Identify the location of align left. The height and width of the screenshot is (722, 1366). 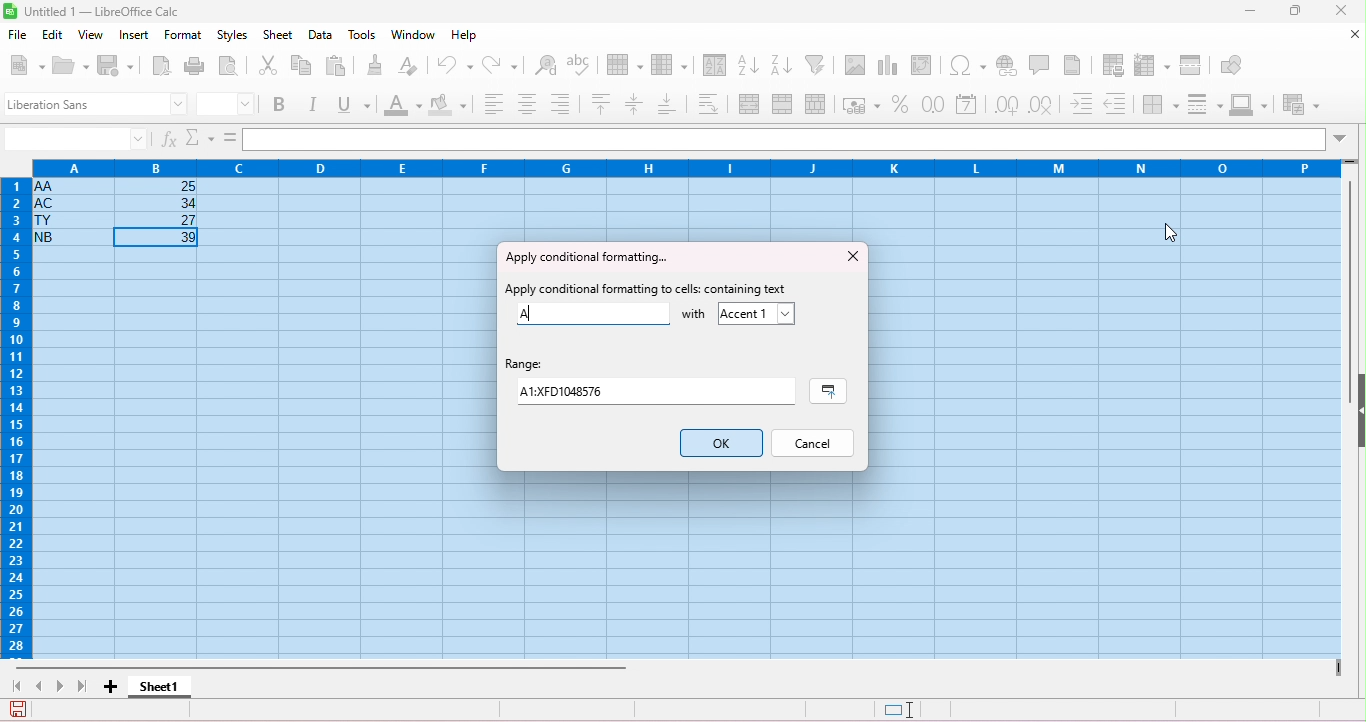
(494, 106).